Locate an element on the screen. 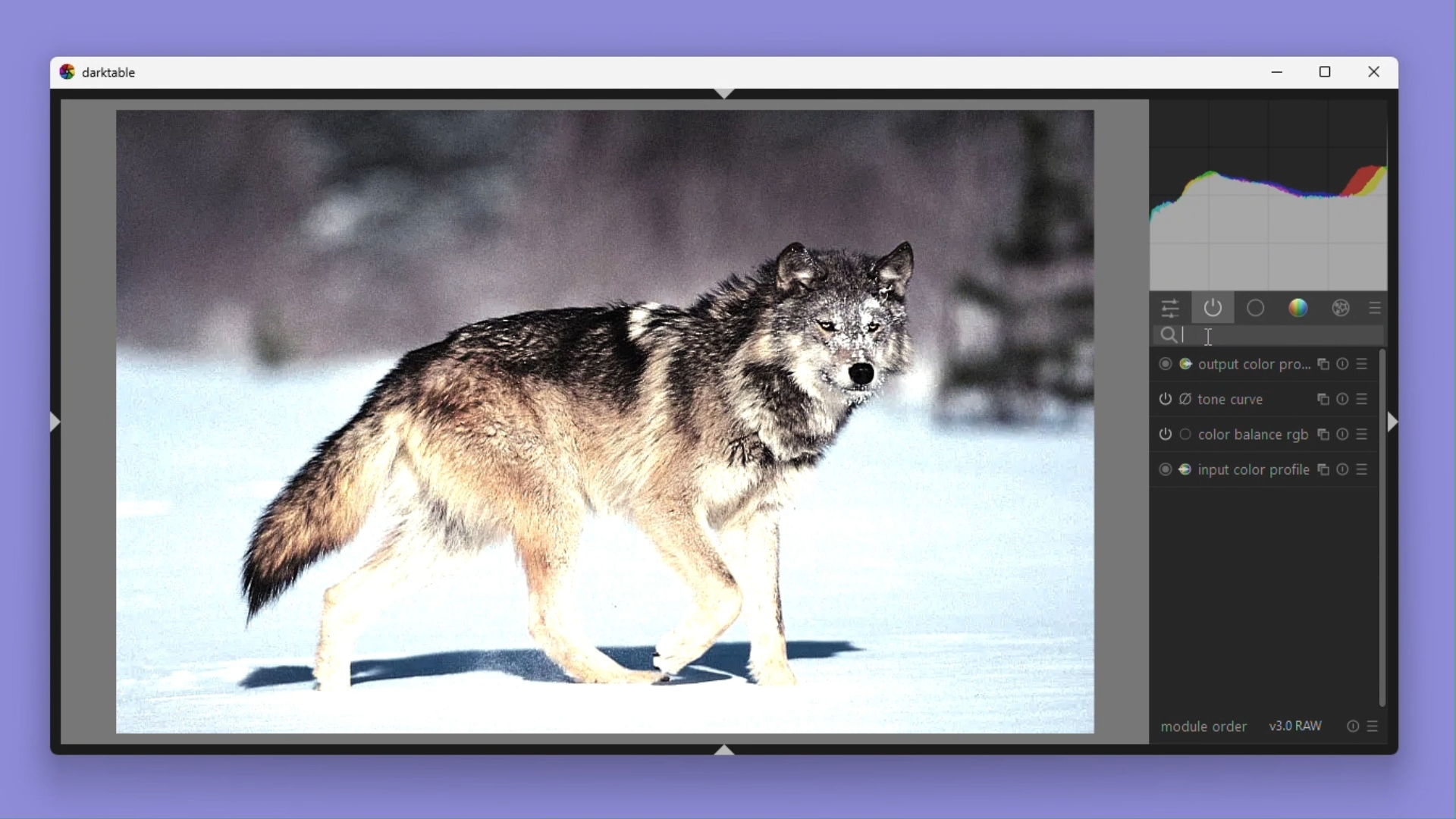 This screenshot has height=819, width=1456. Preset is located at coordinates (1365, 434).